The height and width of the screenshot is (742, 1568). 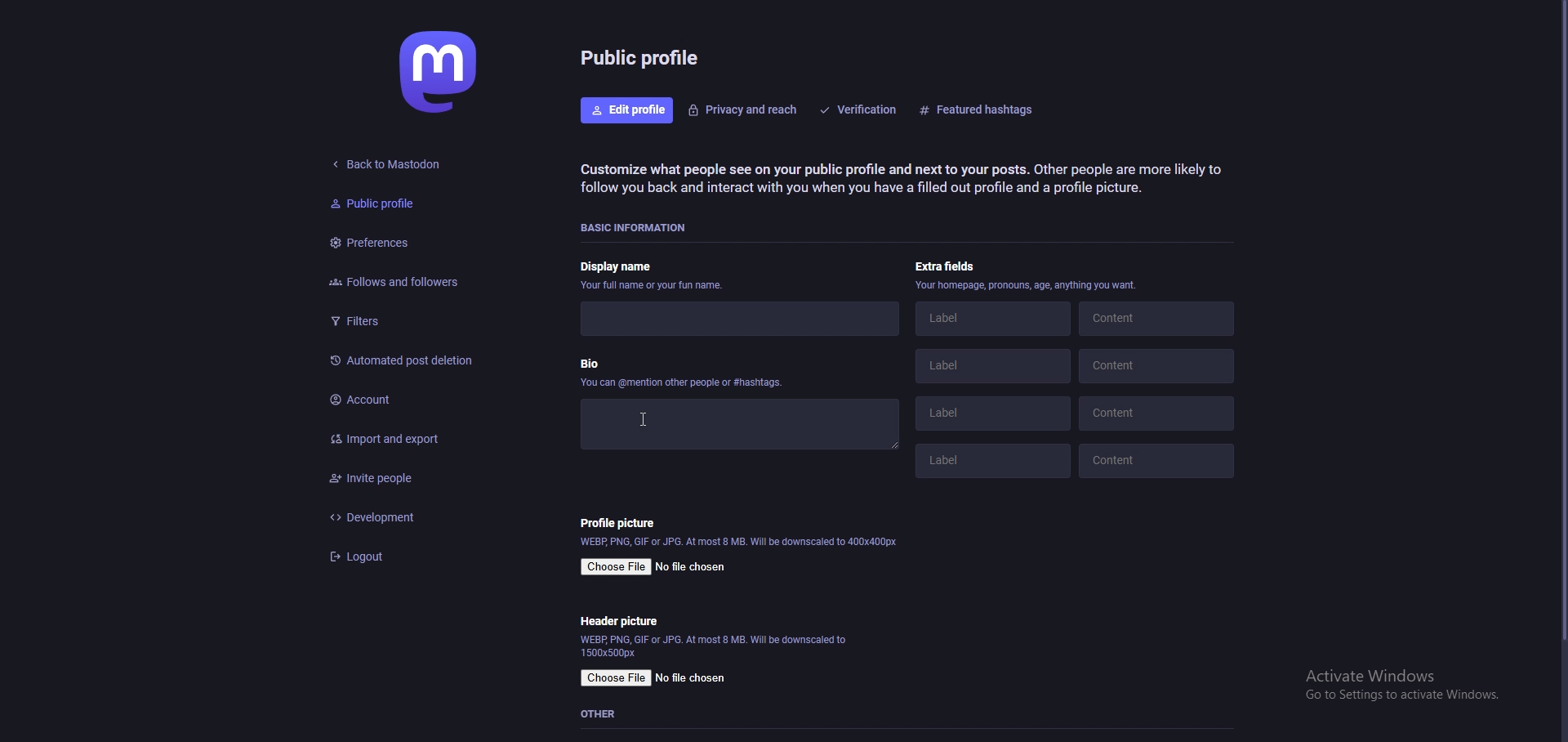 What do you see at coordinates (993, 413) in the screenshot?
I see `label` at bounding box center [993, 413].